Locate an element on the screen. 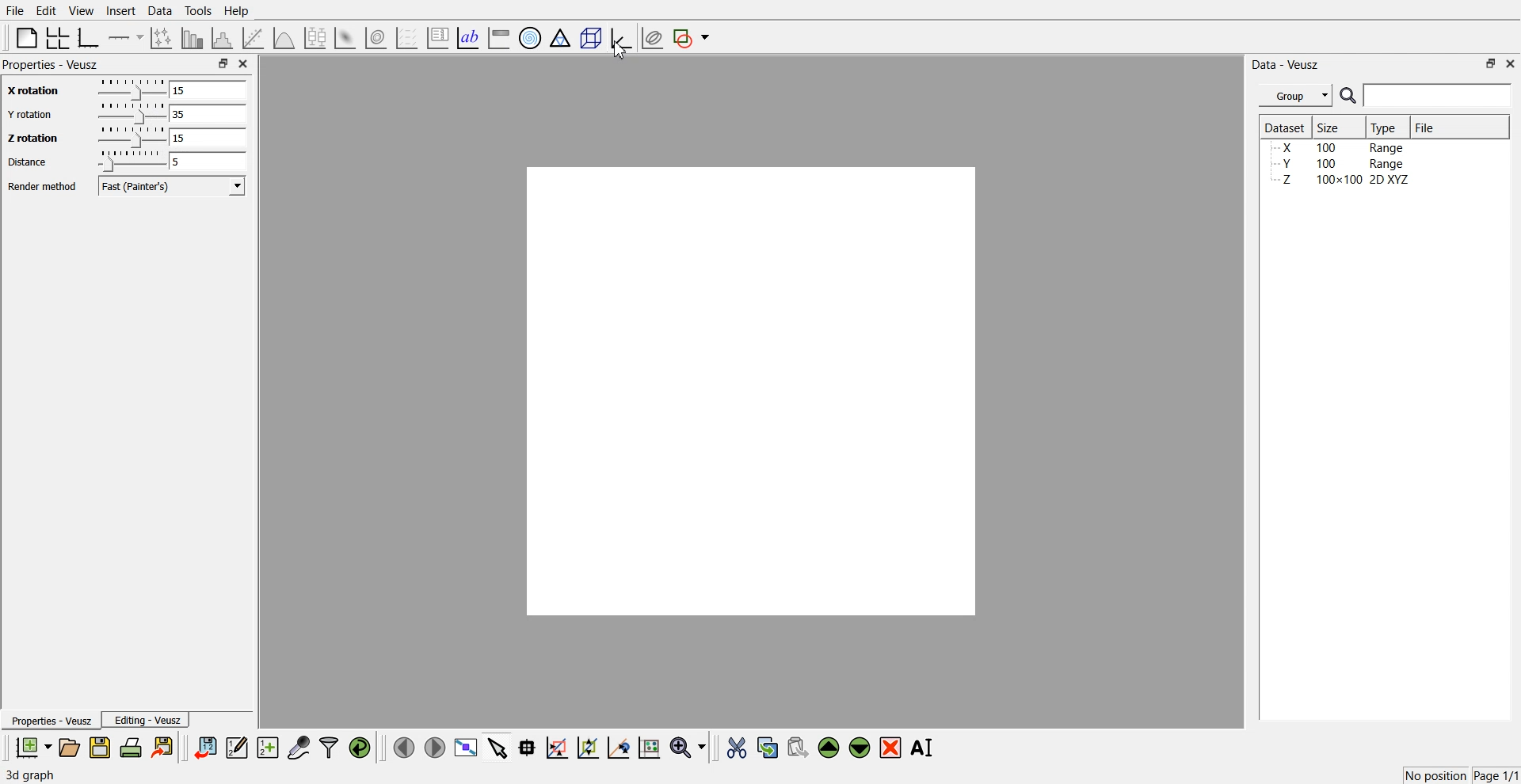 The width and height of the screenshot is (1521, 784). Edit and enter new dataset is located at coordinates (236, 747).